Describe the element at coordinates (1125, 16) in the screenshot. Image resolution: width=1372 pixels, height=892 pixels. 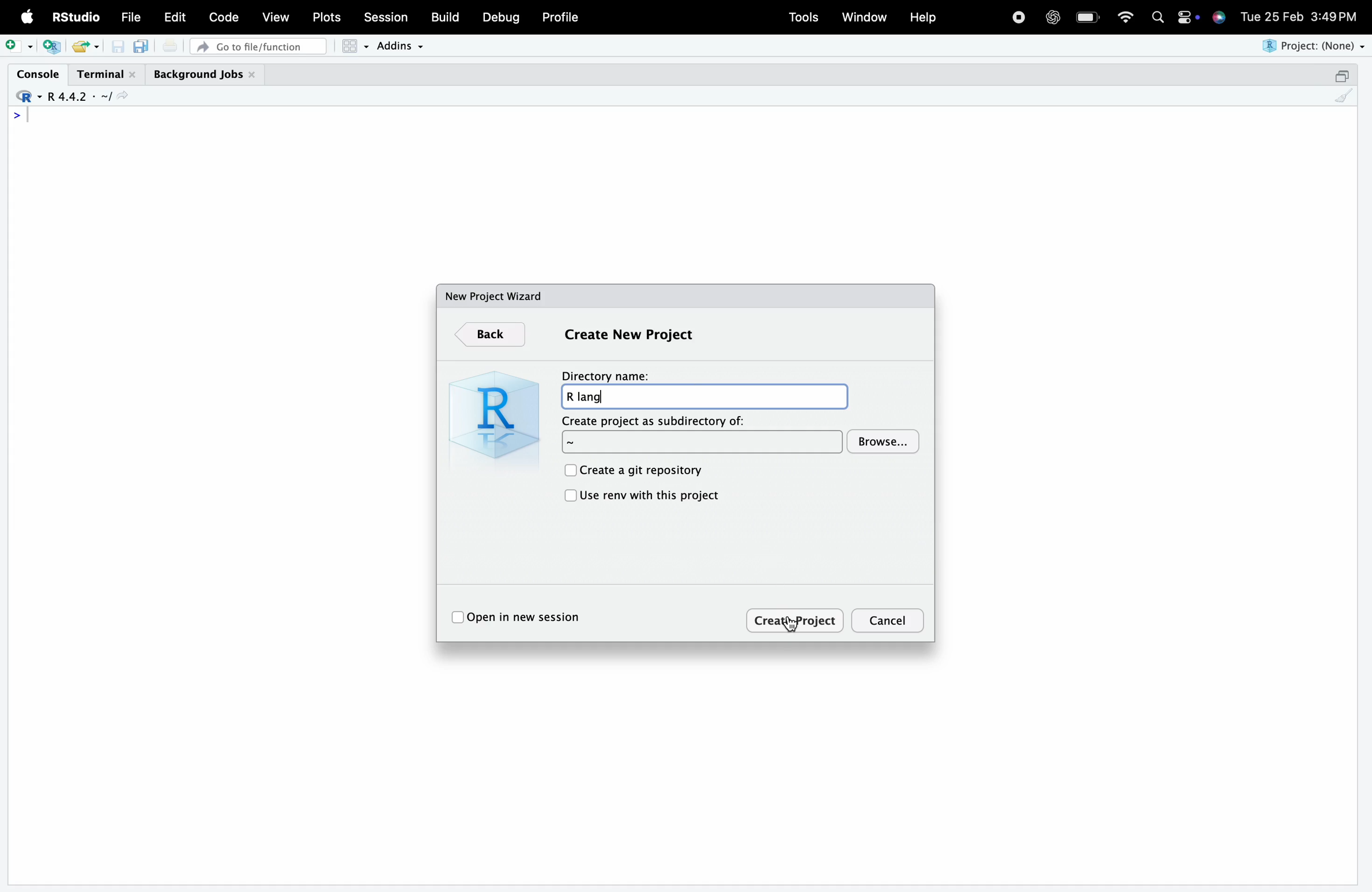
I see `wifi` at that location.